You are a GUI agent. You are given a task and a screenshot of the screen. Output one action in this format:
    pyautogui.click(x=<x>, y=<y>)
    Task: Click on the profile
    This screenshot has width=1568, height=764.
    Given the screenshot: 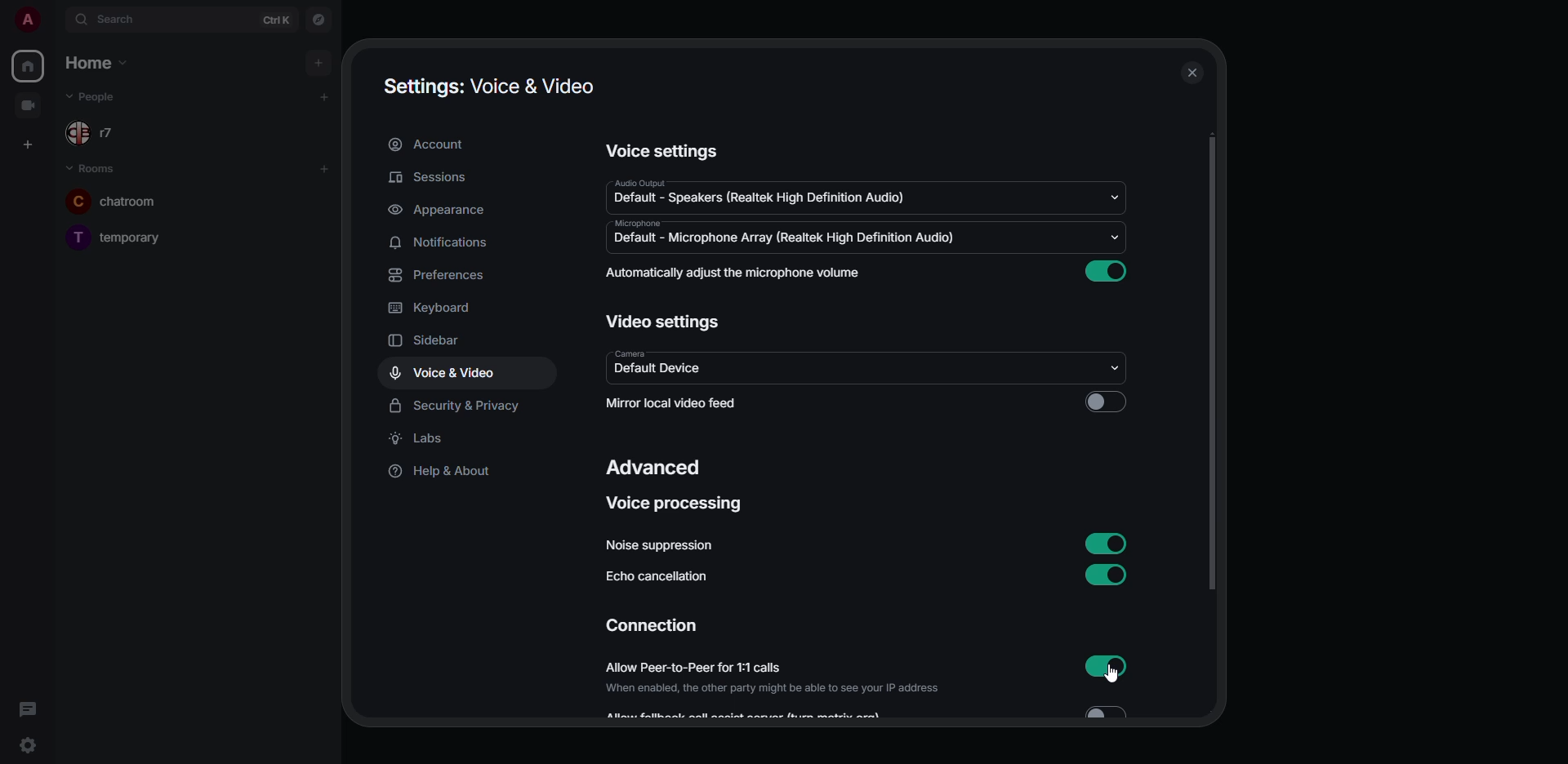 What is the action you would take?
    pyautogui.click(x=29, y=20)
    